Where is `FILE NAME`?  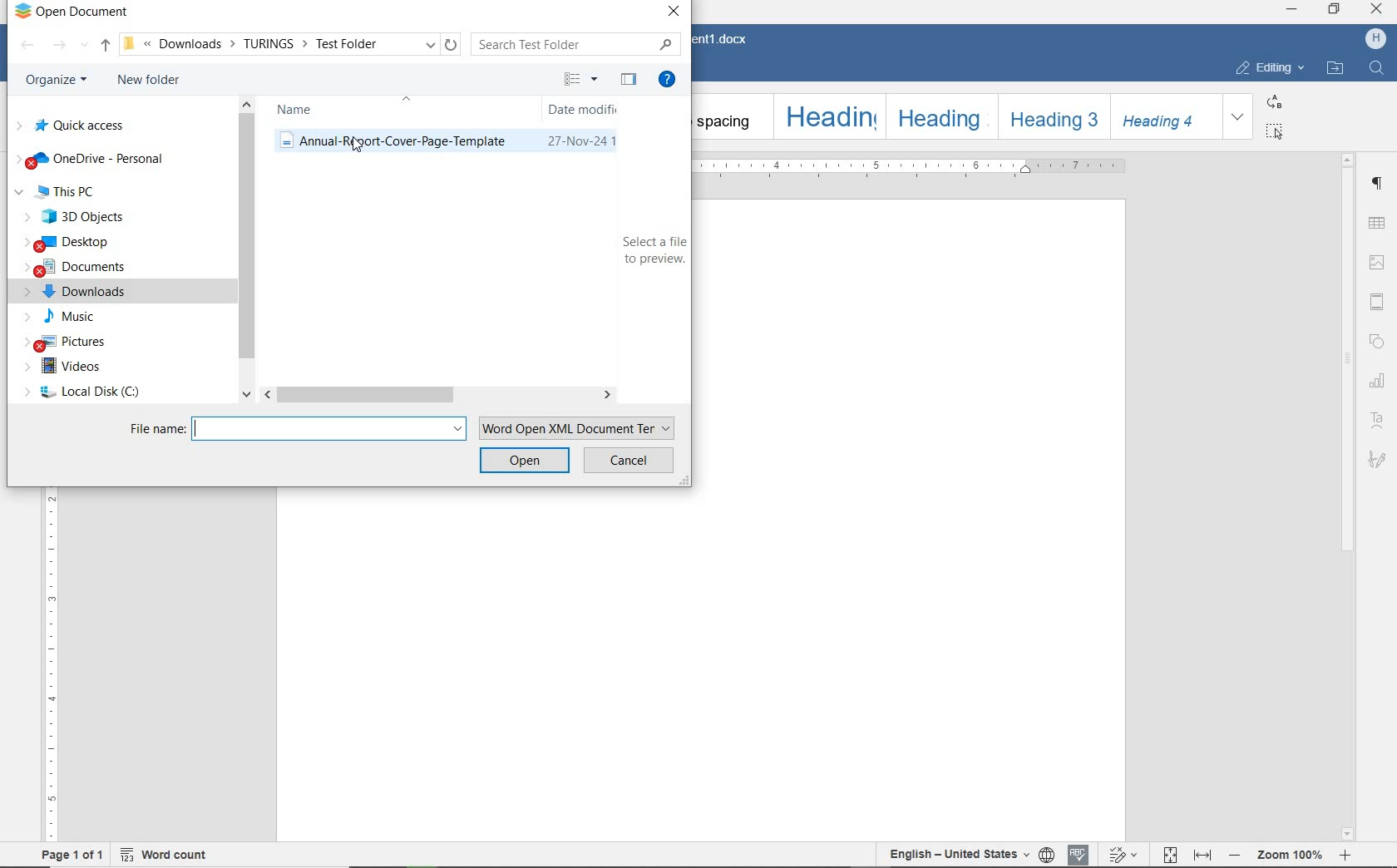 FILE NAME is located at coordinates (296, 430).